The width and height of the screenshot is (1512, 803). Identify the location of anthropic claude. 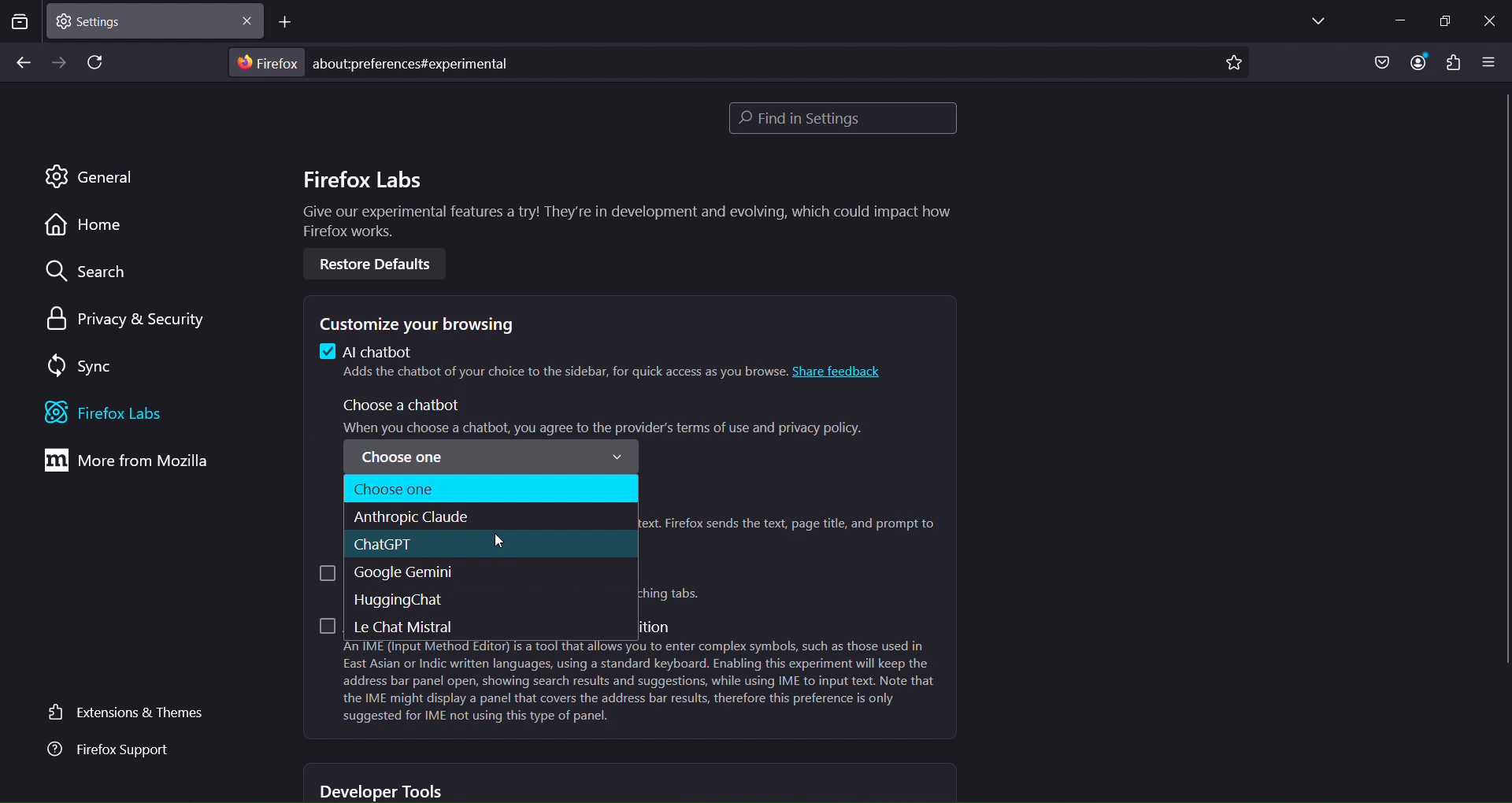
(415, 519).